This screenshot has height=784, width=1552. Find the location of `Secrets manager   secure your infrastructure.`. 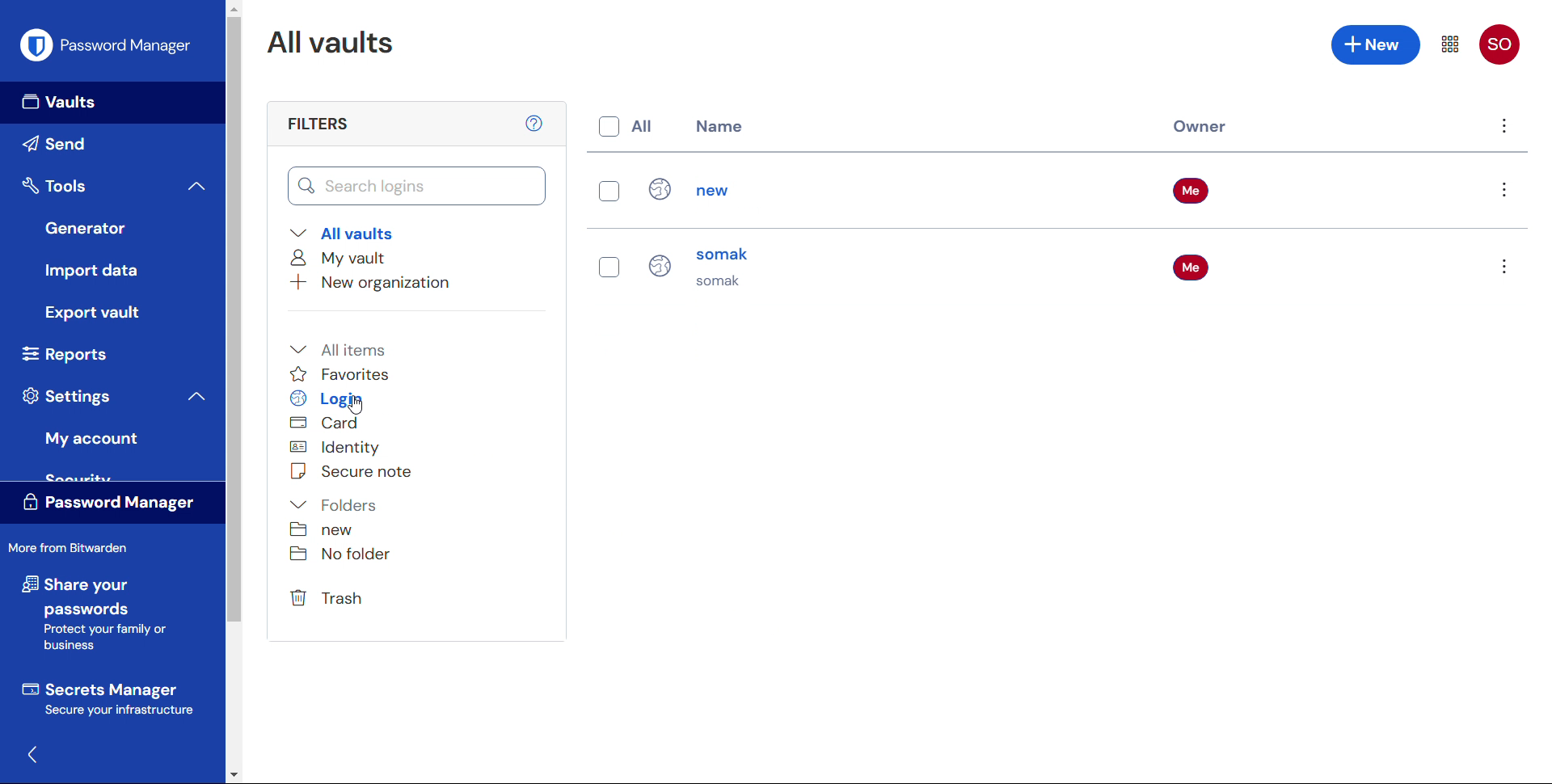

Secrets manager   secure your infrastructure. is located at coordinates (107, 702).